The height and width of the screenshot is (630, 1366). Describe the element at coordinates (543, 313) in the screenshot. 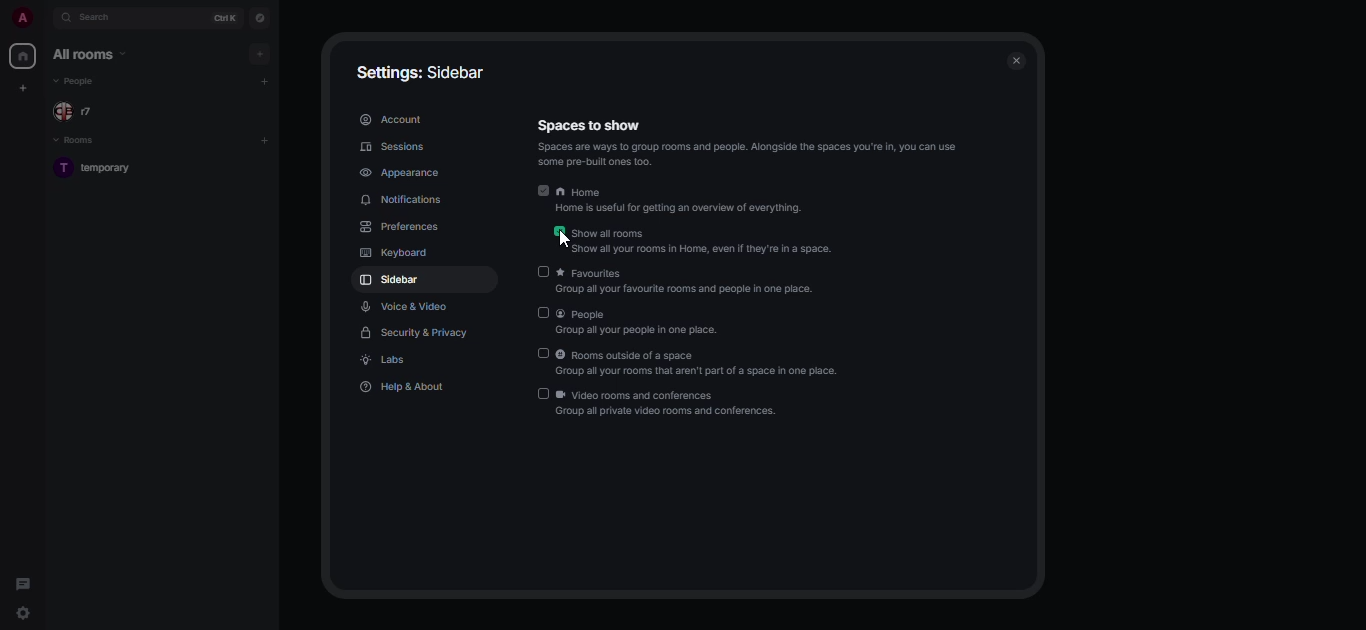

I see `disabled` at that location.